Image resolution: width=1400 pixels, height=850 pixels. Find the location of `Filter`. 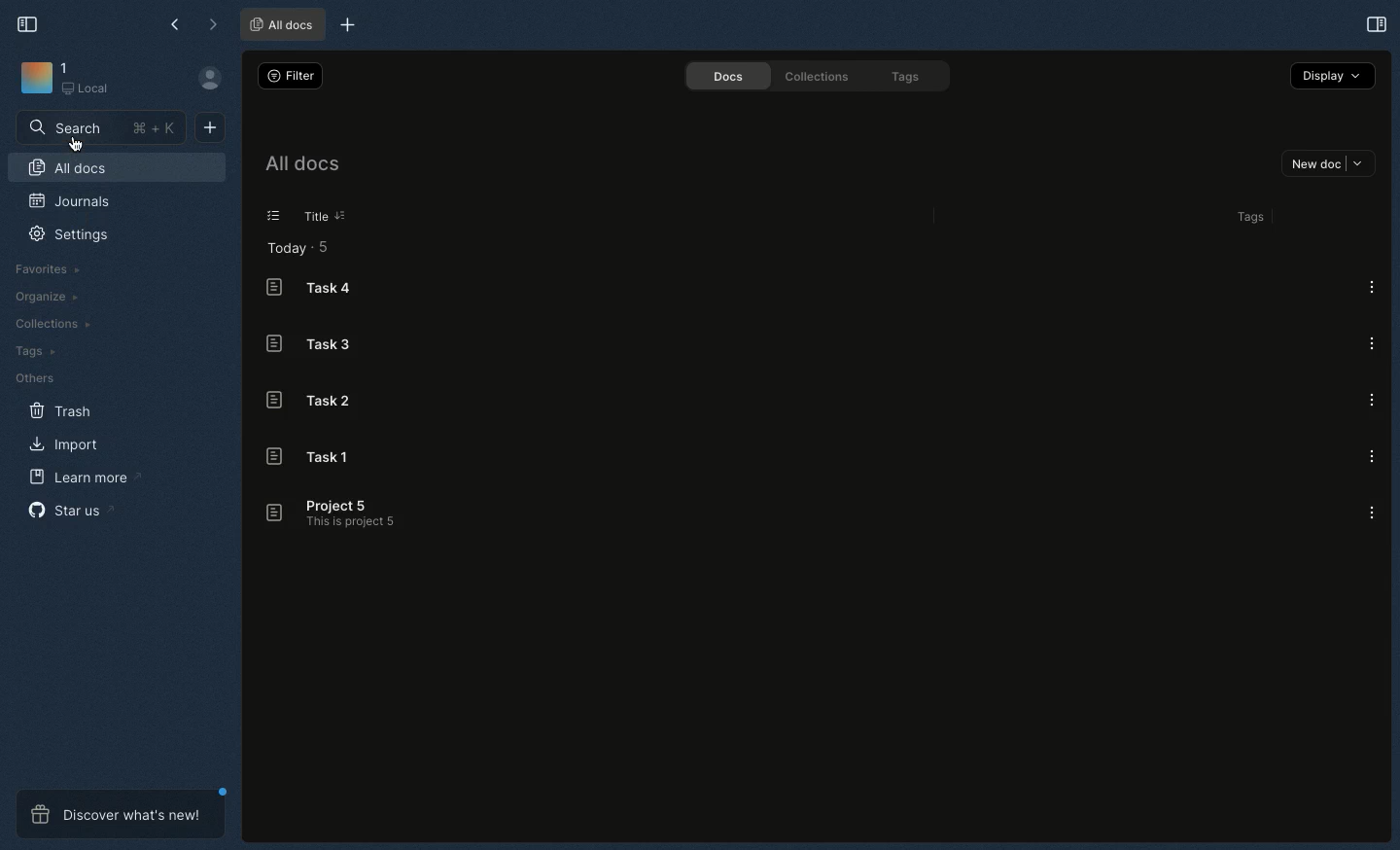

Filter is located at coordinates (288, 75).